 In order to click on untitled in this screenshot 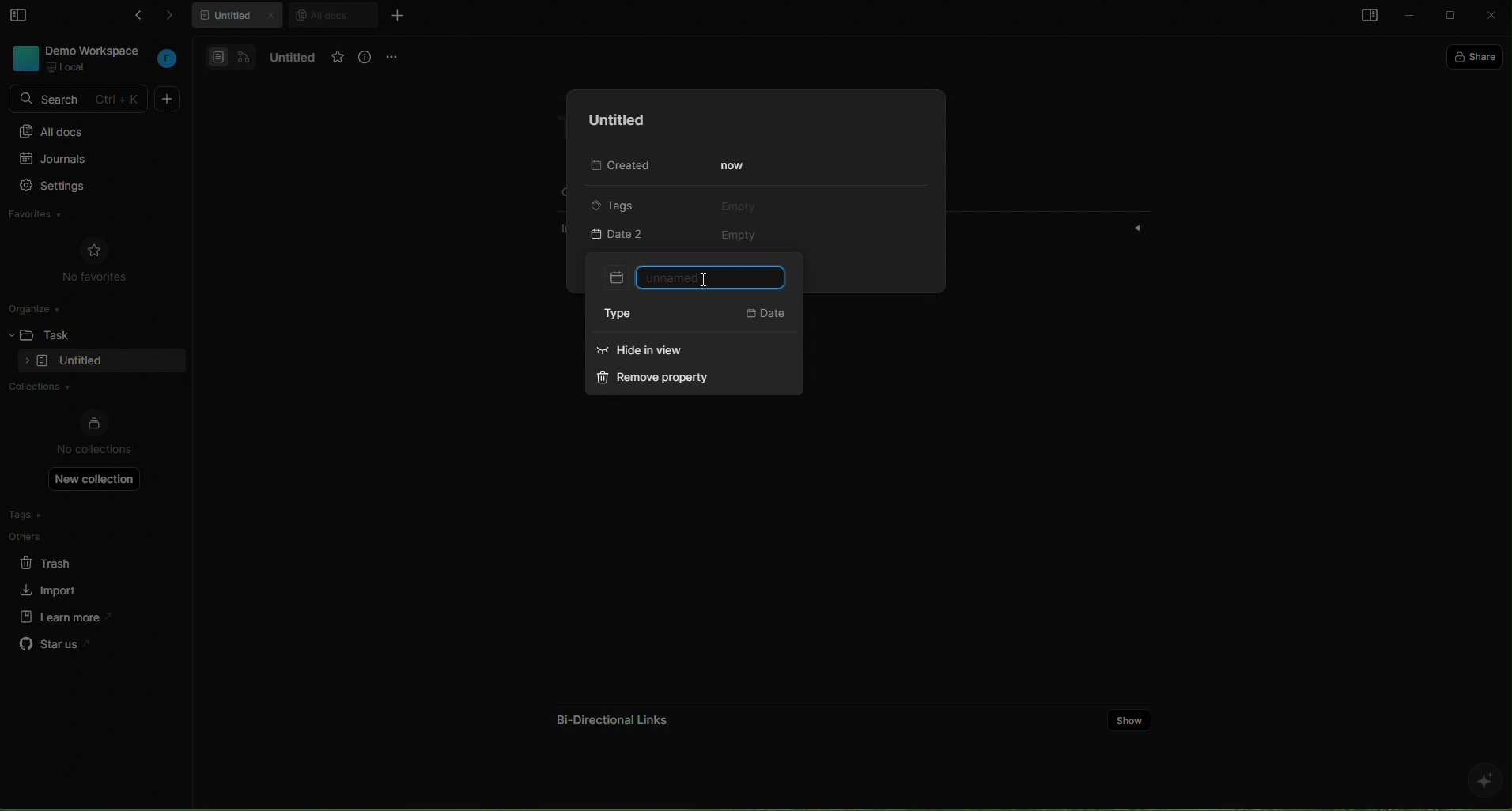, I will do `click(240, 17)`.